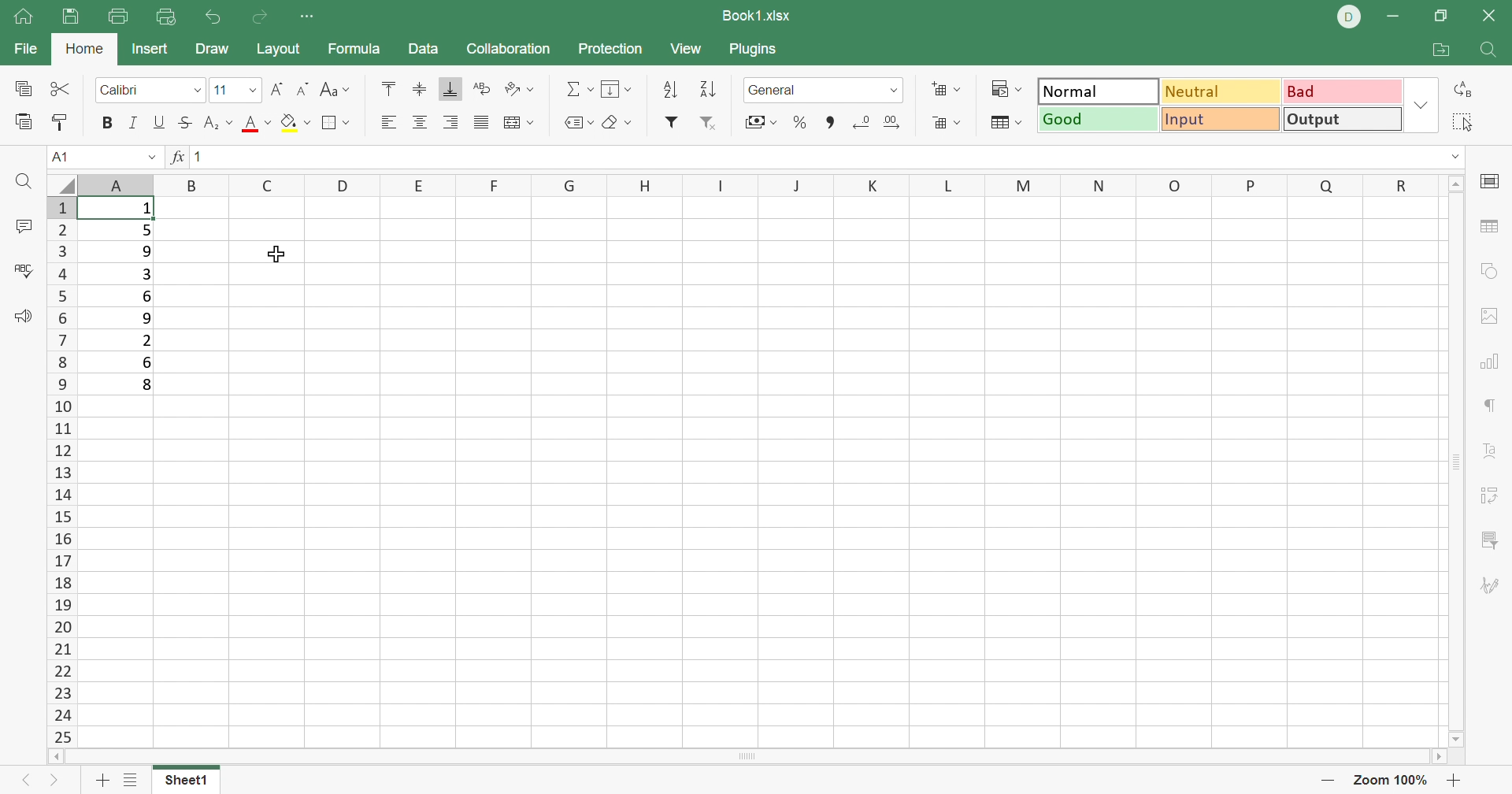 This screenshot has height=794, width=1512. I want to click on Merge and center, so click(518, 124).